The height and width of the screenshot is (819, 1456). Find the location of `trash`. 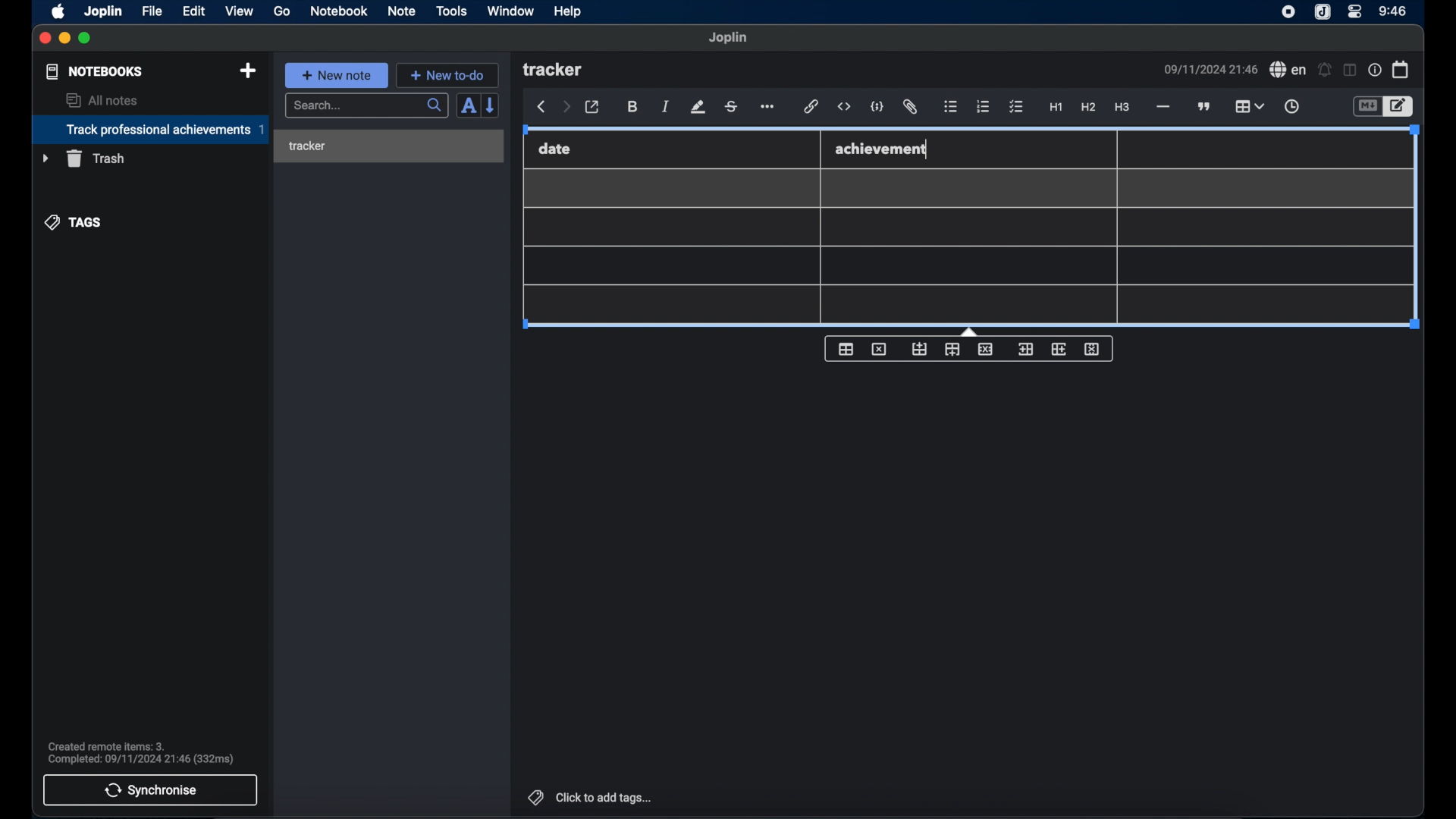

trash is located at coordinates (83, 158).